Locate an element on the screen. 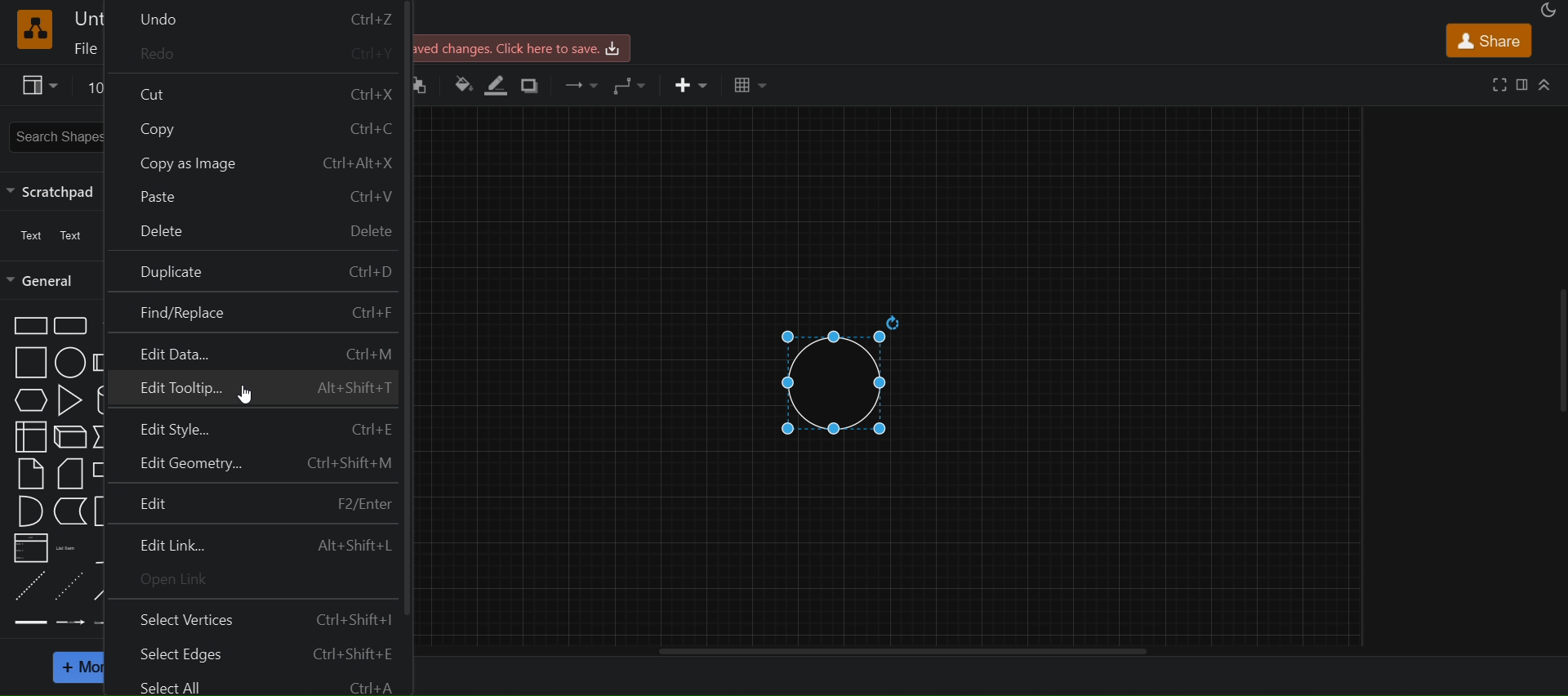  find/replace is located at coordinates (253, 315).